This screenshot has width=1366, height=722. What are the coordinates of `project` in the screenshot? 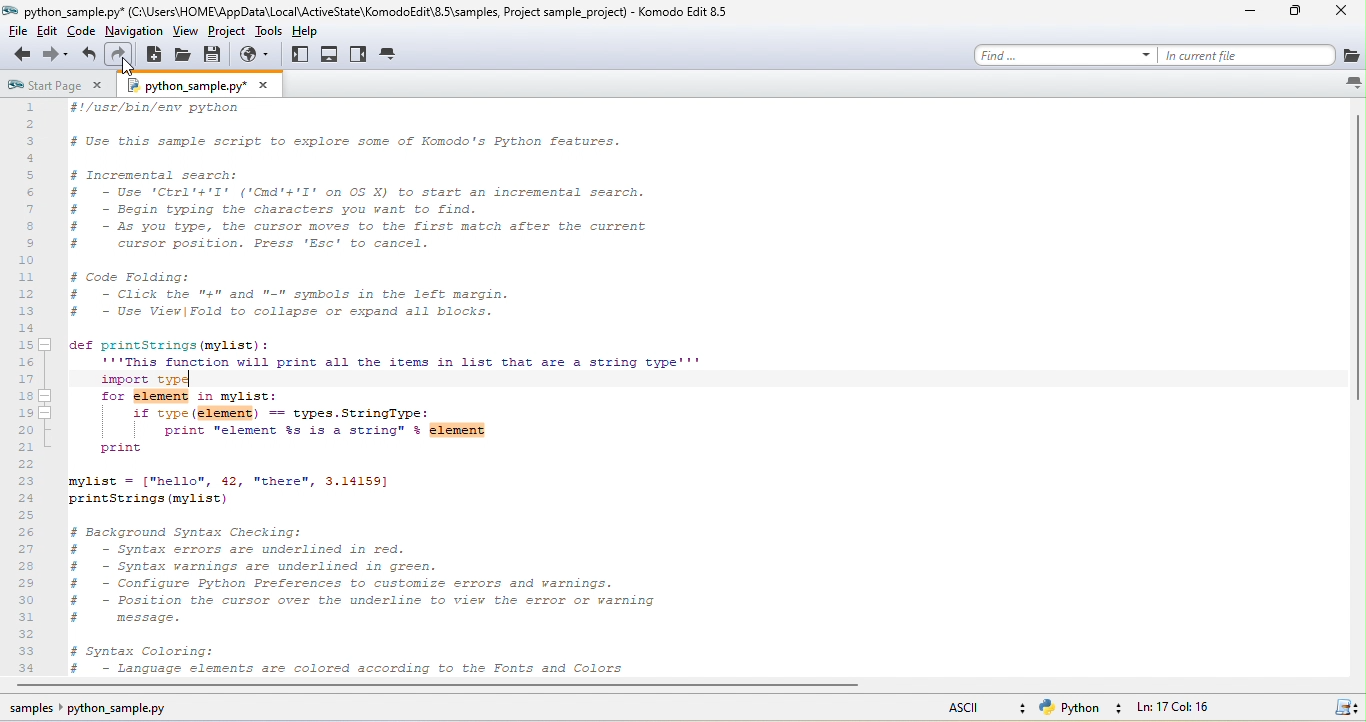 It's located at (225, 32).